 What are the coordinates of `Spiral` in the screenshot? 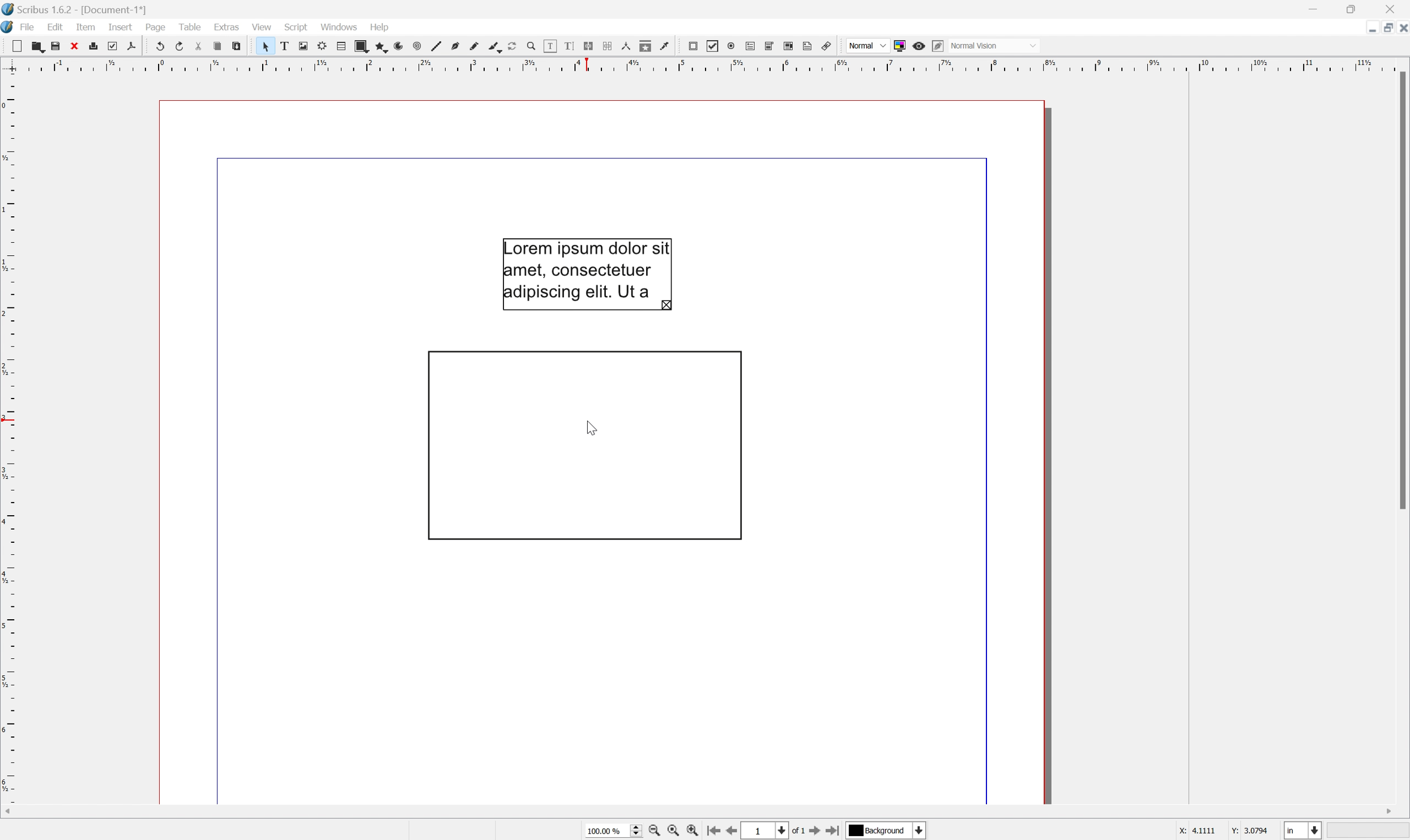 It's located at (417, 46).